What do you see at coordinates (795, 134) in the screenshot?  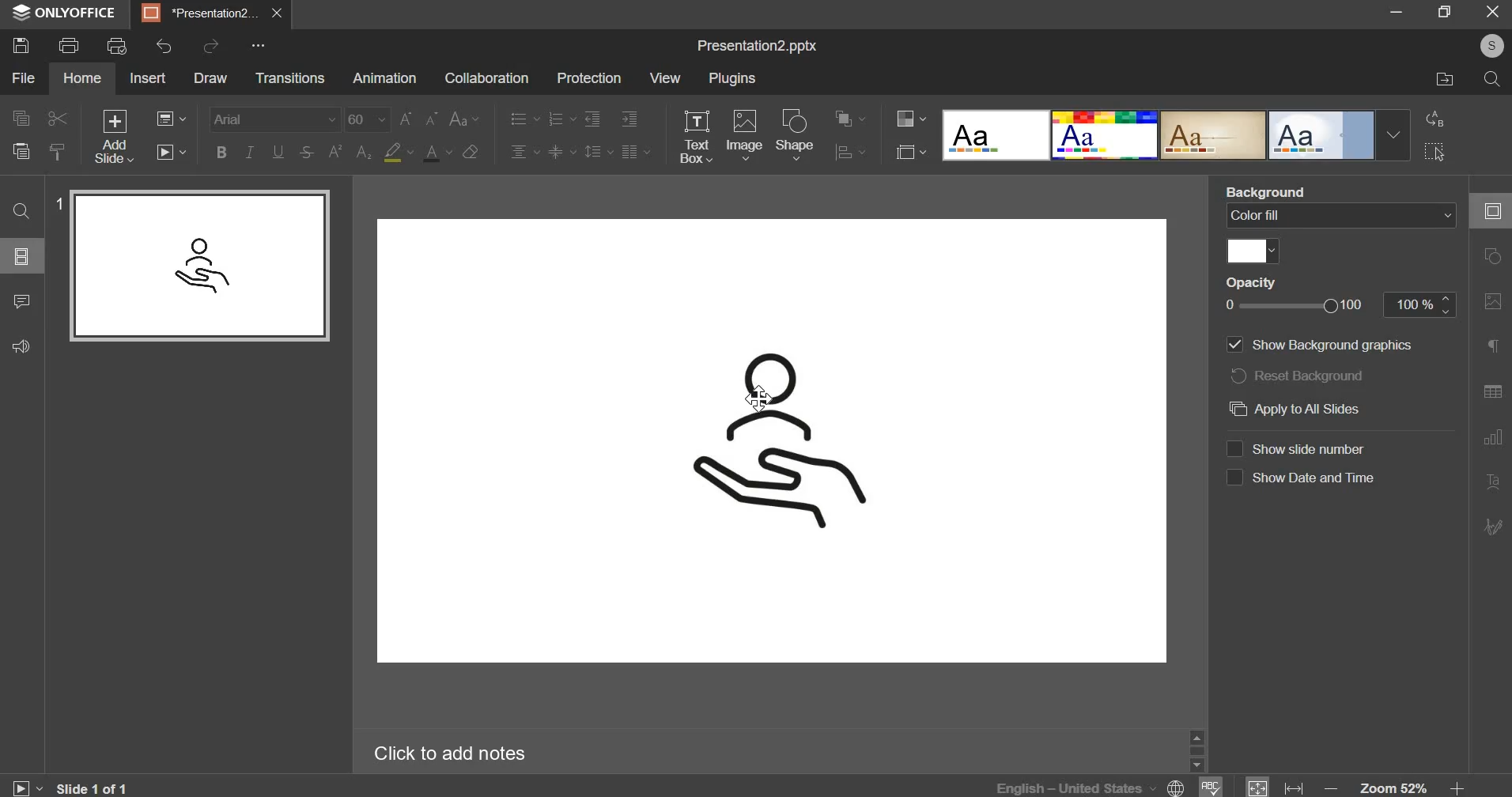 I see `shapes` at bounding box center [795, 134].